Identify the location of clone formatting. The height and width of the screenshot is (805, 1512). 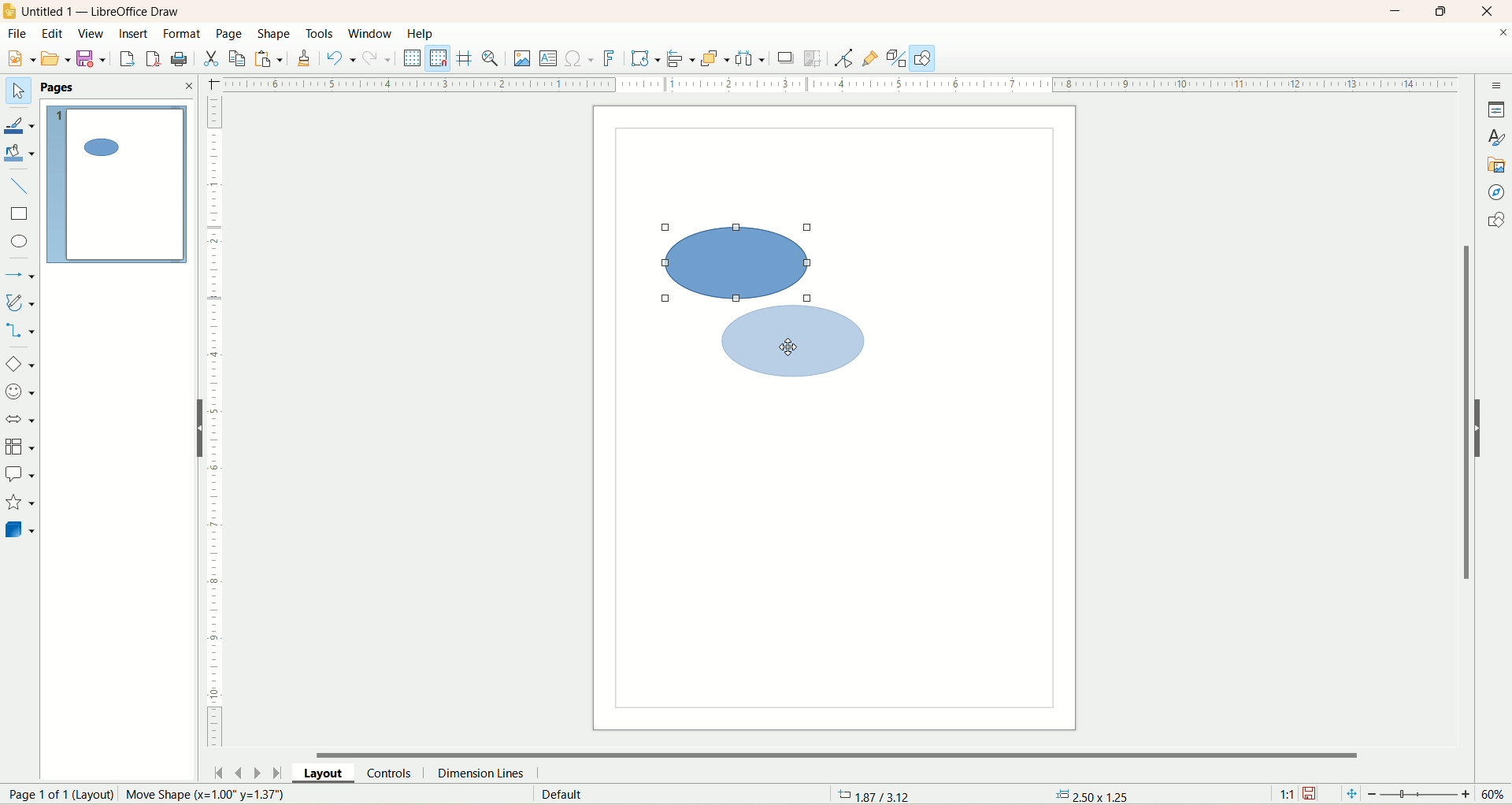
(308, 58).